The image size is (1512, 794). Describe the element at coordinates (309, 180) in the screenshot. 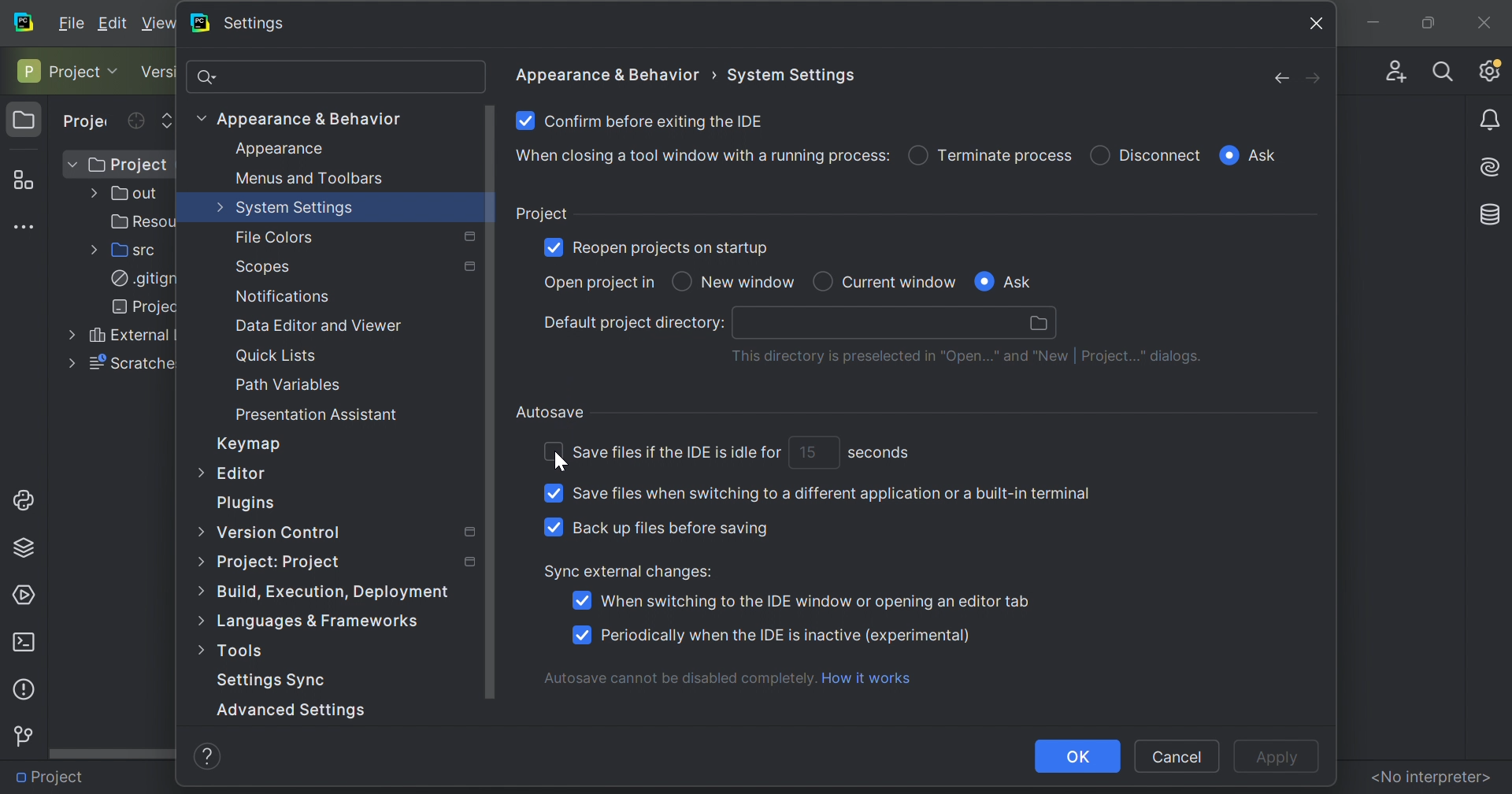

I see `Menus and Toolbars` at that location.